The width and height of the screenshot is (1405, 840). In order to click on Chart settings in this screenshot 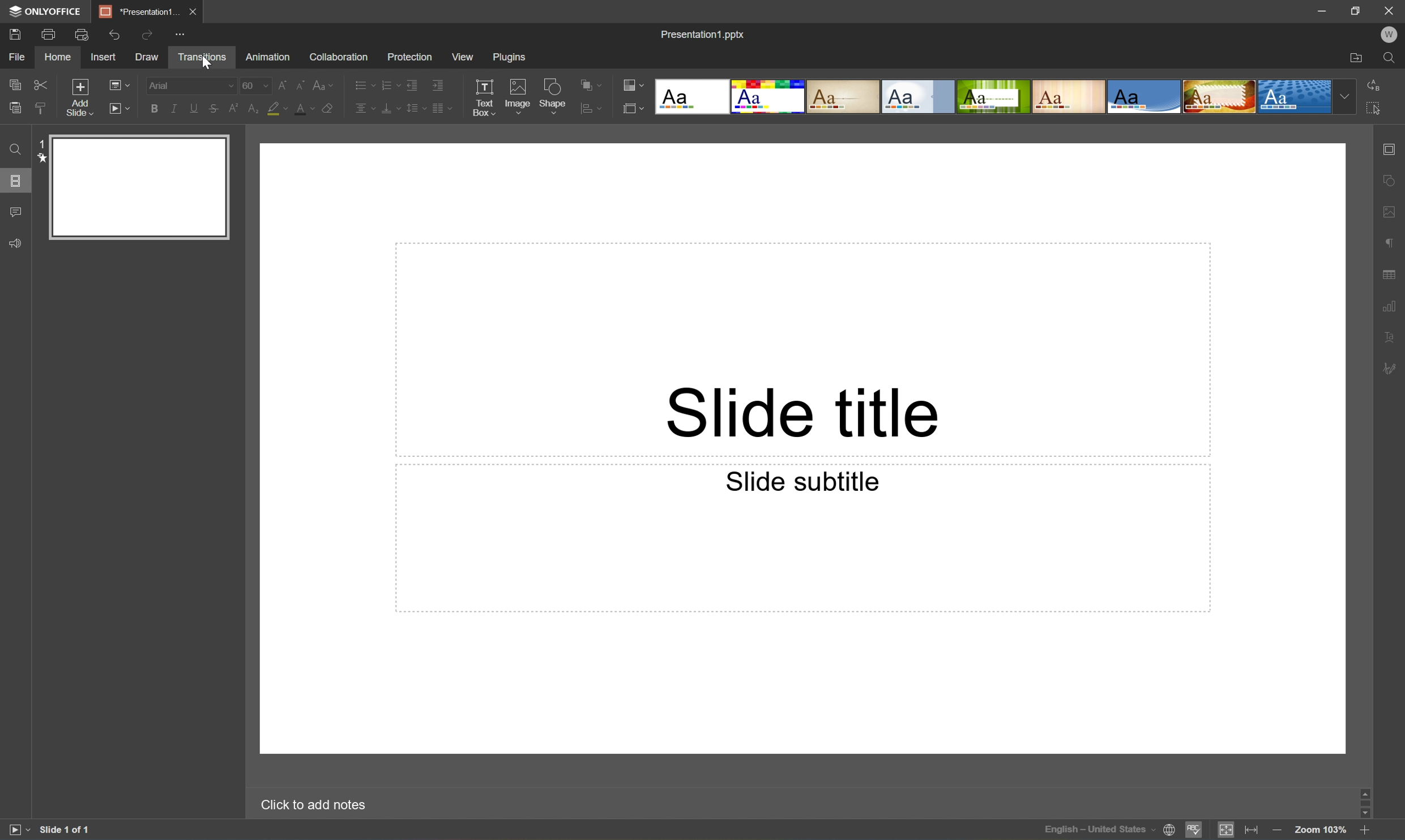, I will do `click(1391, 307)`.